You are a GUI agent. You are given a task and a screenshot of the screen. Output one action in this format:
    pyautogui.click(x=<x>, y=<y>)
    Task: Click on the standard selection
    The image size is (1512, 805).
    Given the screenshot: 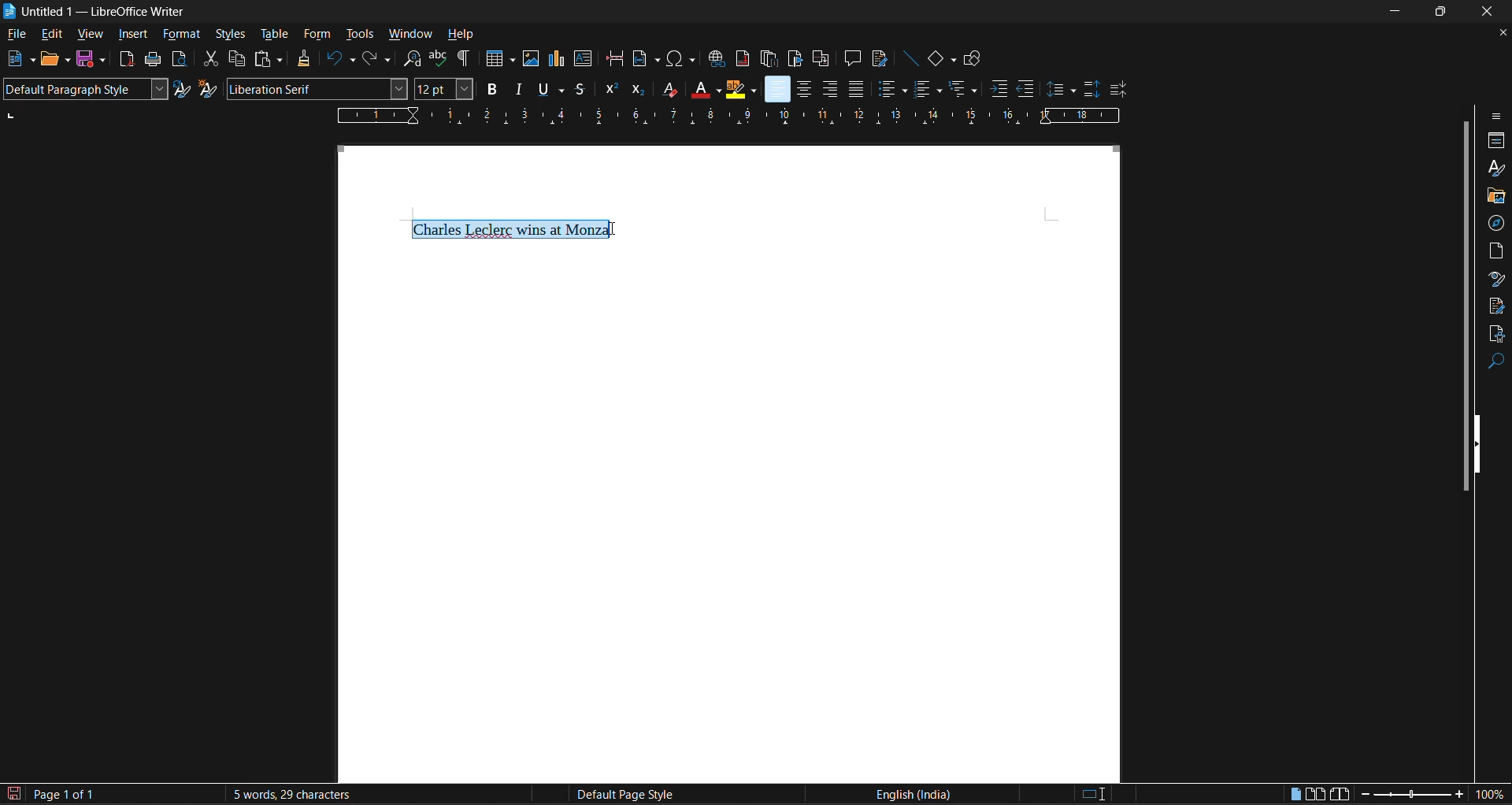 What is the action you would take?
    pyautogui.click(x=1093, y=796)
    